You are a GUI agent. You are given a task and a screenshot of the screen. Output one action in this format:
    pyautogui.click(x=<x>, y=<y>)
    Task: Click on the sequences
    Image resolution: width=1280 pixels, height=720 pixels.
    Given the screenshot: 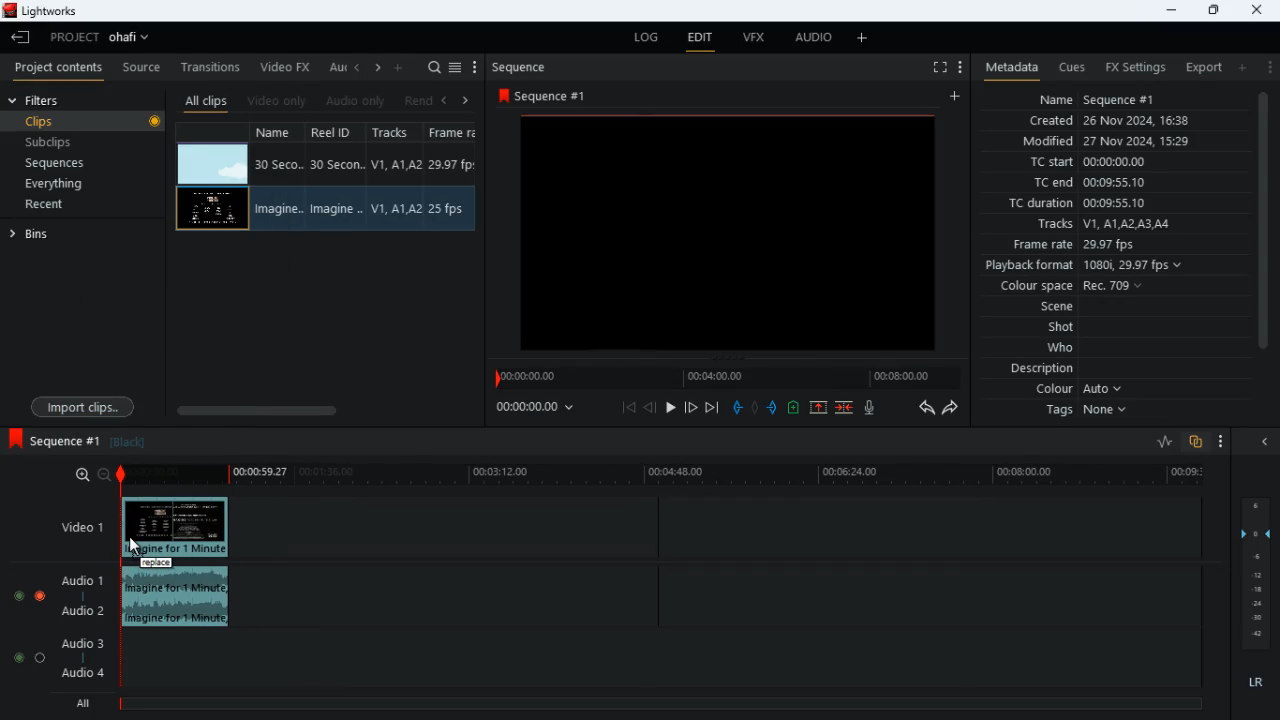 What is the action you would take?
    pyautogui.click(x=57, y=163)
    